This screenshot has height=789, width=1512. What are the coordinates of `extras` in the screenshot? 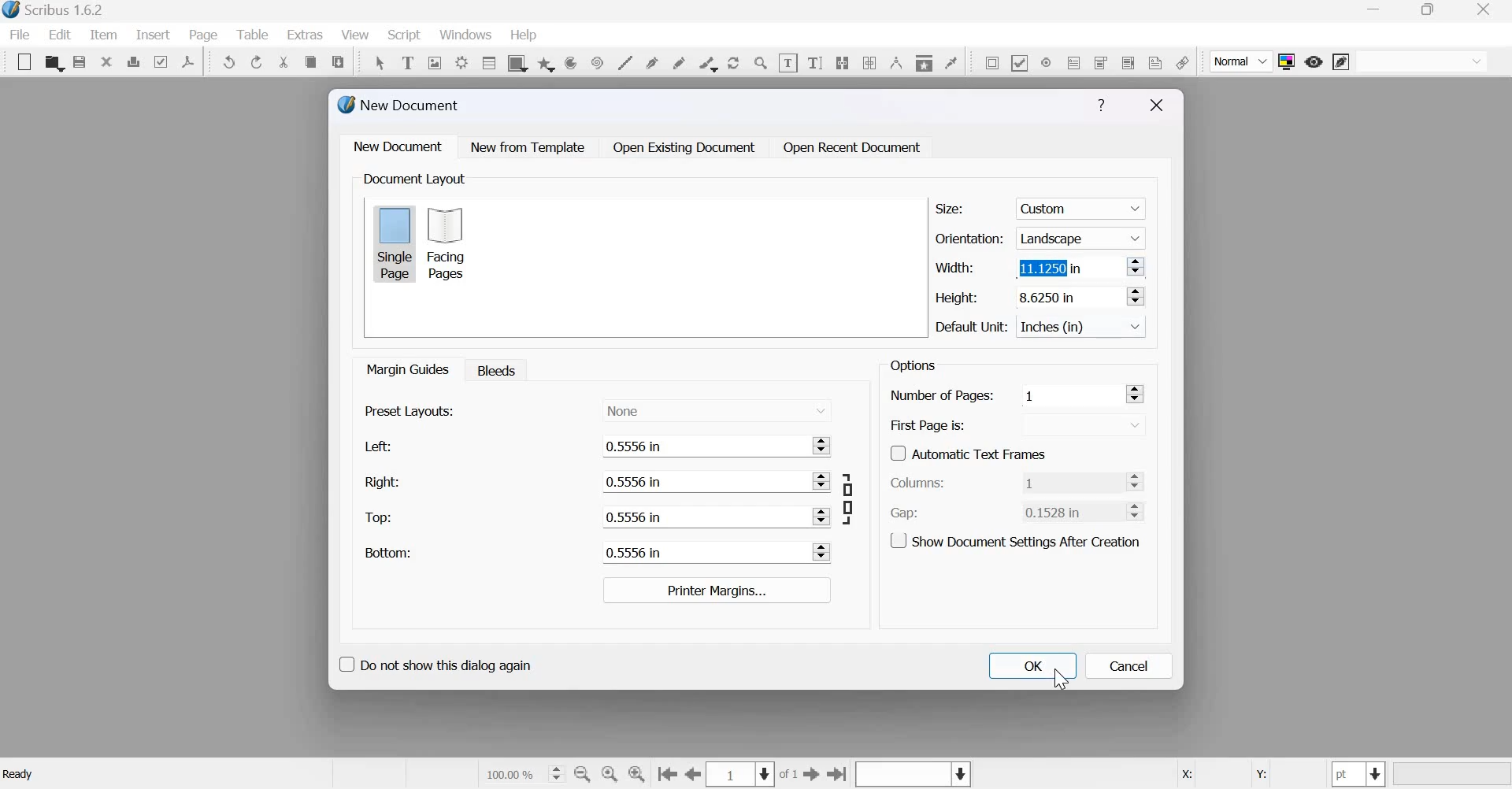 It's located at (306, 35).